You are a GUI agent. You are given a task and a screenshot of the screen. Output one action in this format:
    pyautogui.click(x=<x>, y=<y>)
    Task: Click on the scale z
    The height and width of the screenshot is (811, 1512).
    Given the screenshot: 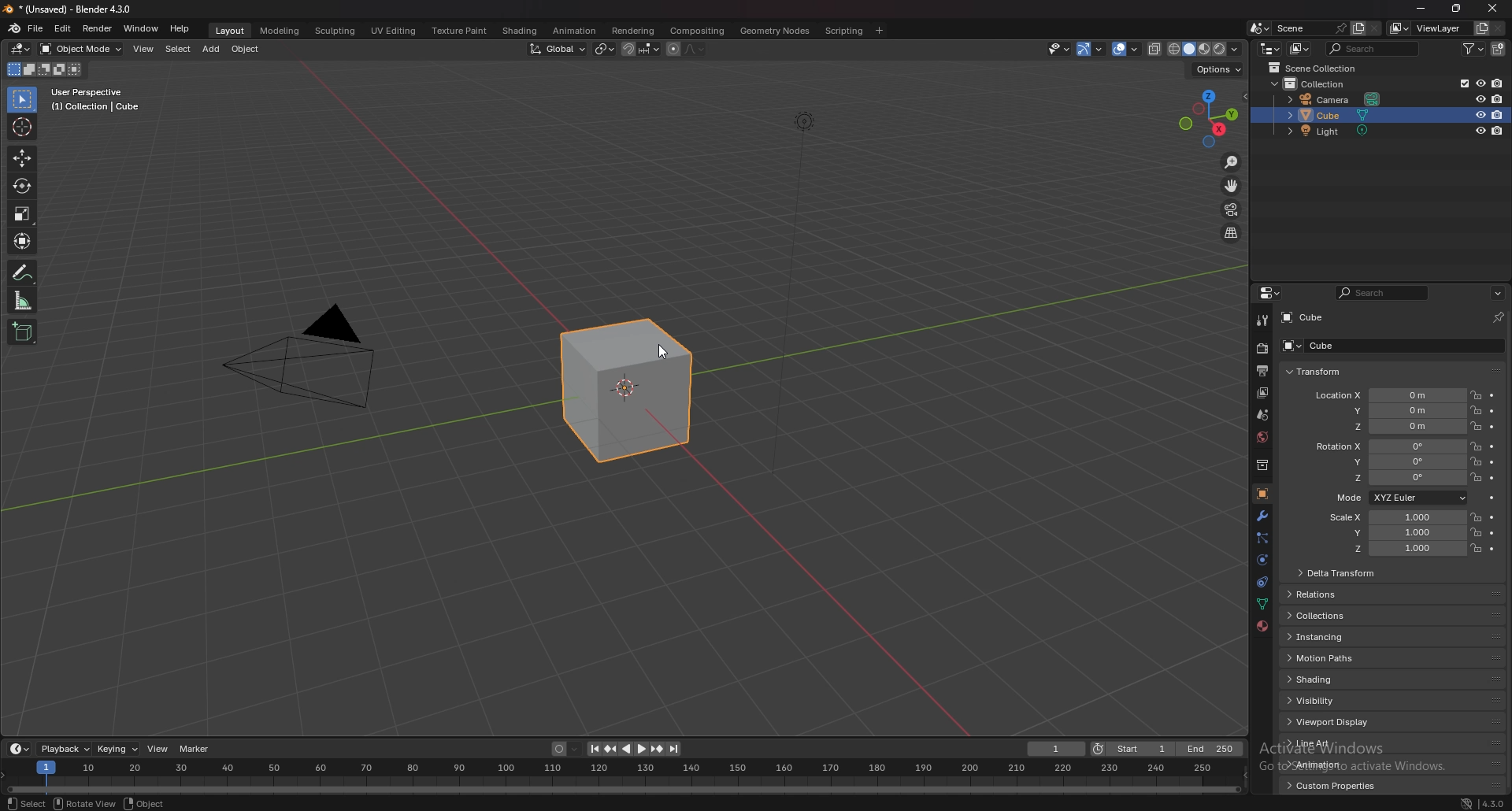 What is the action you would take?
    pyautogui.click(x=1399, y=550)
    